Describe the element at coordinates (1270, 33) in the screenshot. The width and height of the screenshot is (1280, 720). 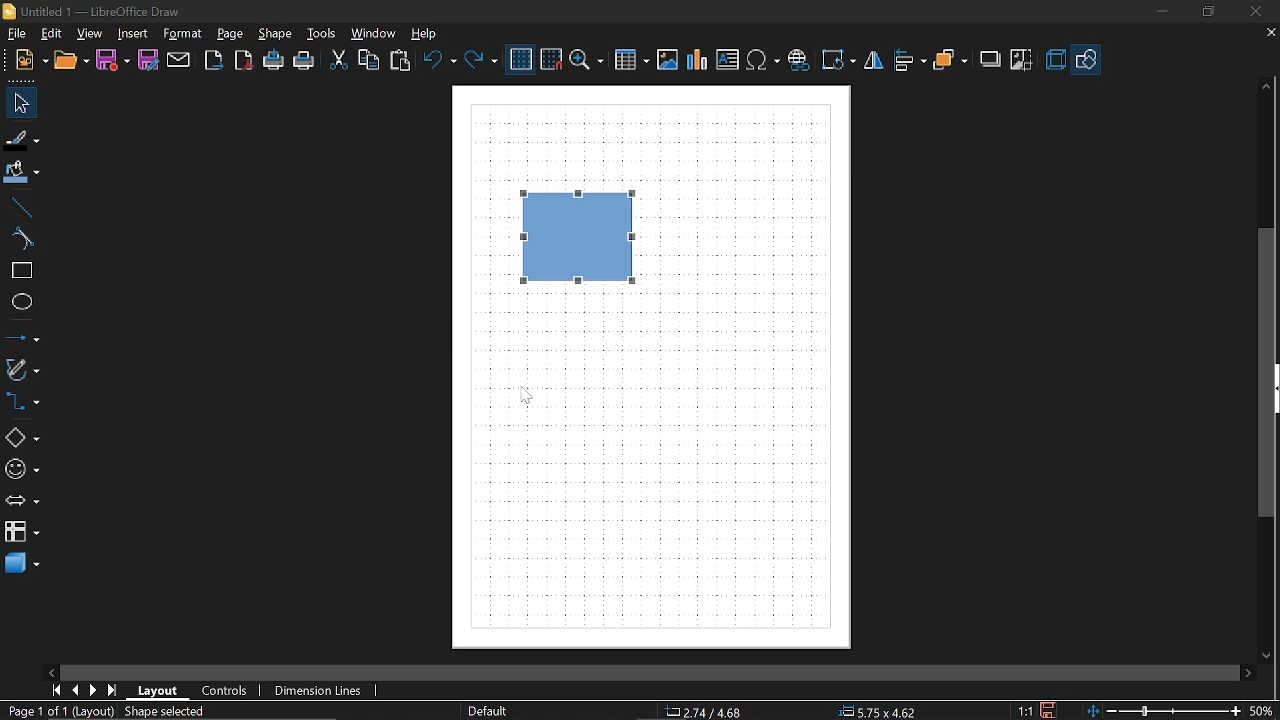
I see `CLose tab` at that location.